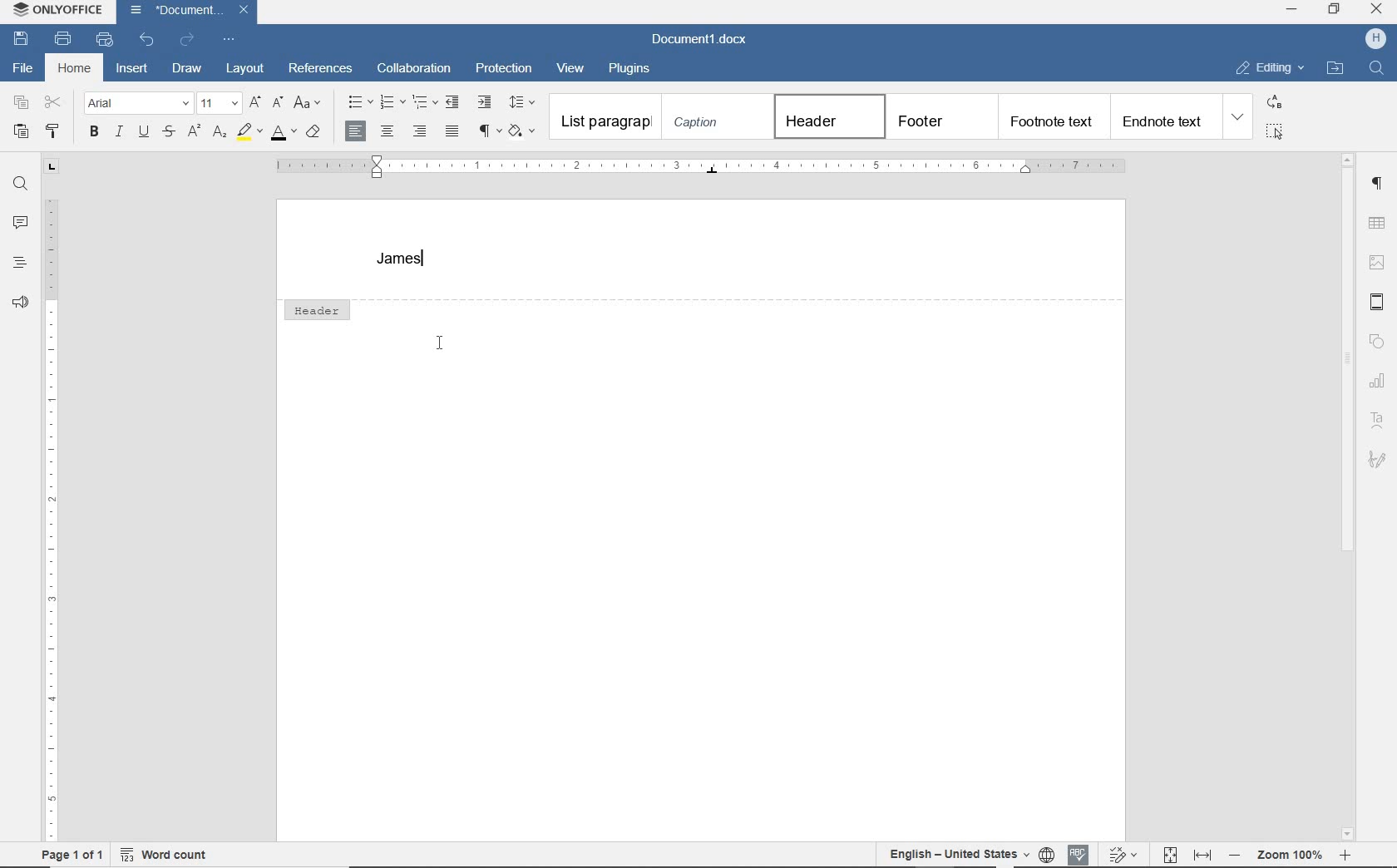 This screenshot has height=868, width=1397. What do you see at coordinates (387, 133) in the screenshot?
I see `align center` at bounding box center [387, 133].